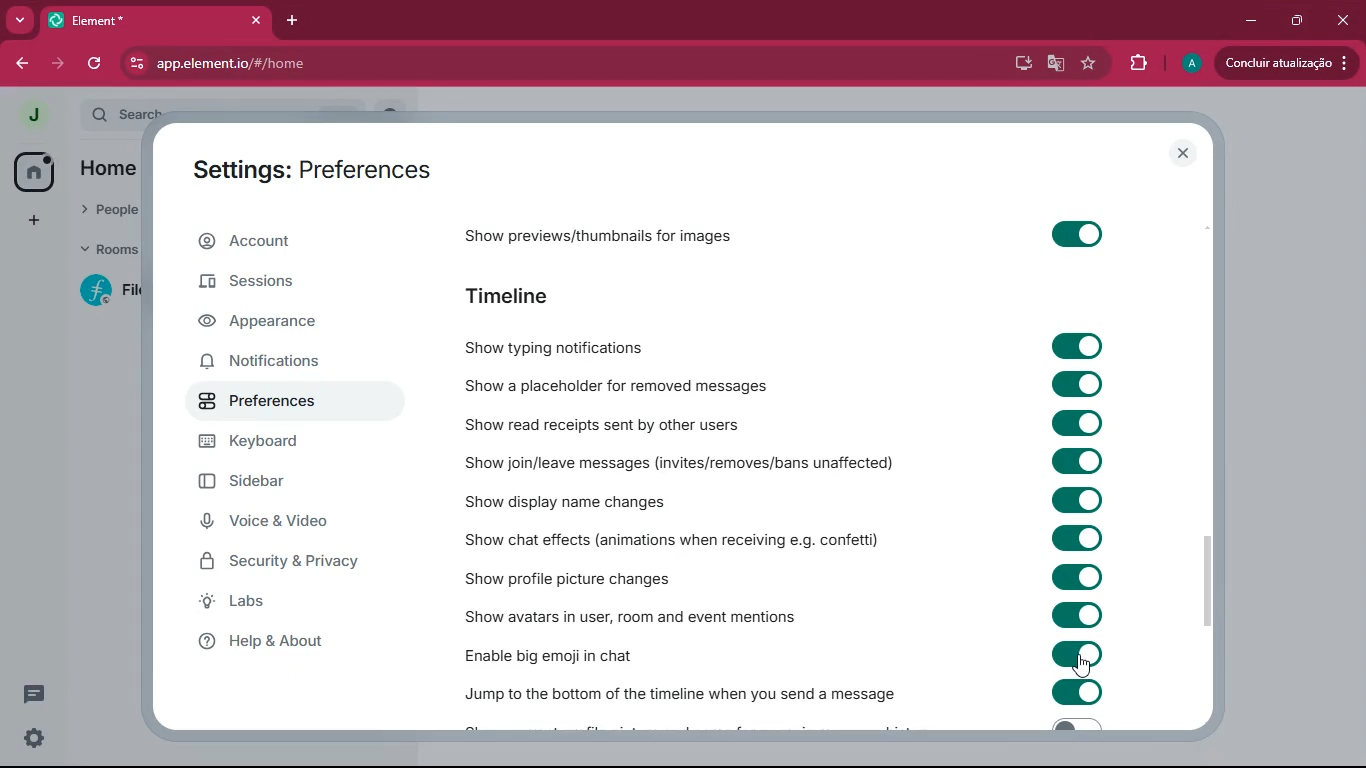  What do you see at coordinates (125, 109) in the screenshot?
I see `search` at bounding box center [125, 109].